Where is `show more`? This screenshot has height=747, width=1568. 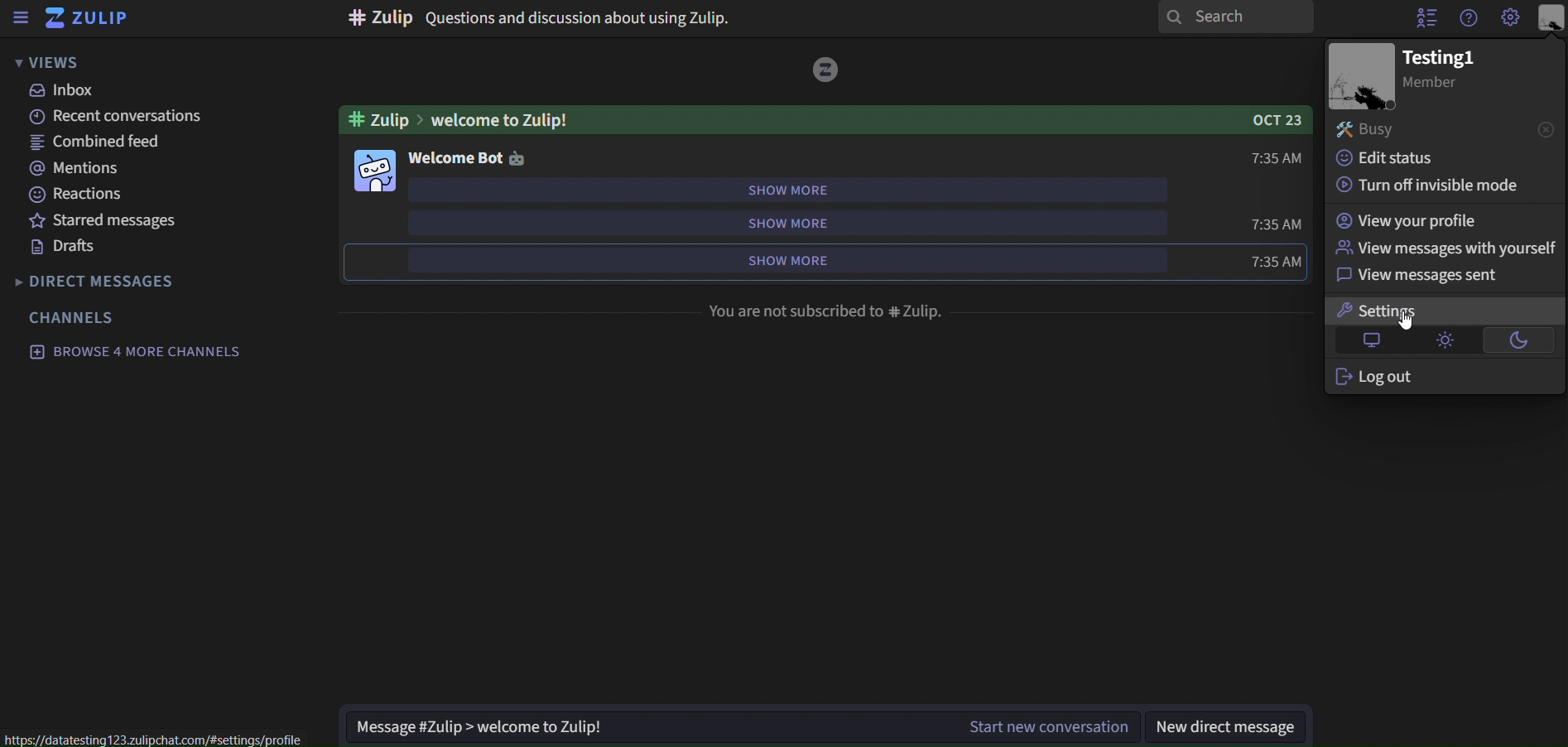 show more is located at coordinates (789, 224).